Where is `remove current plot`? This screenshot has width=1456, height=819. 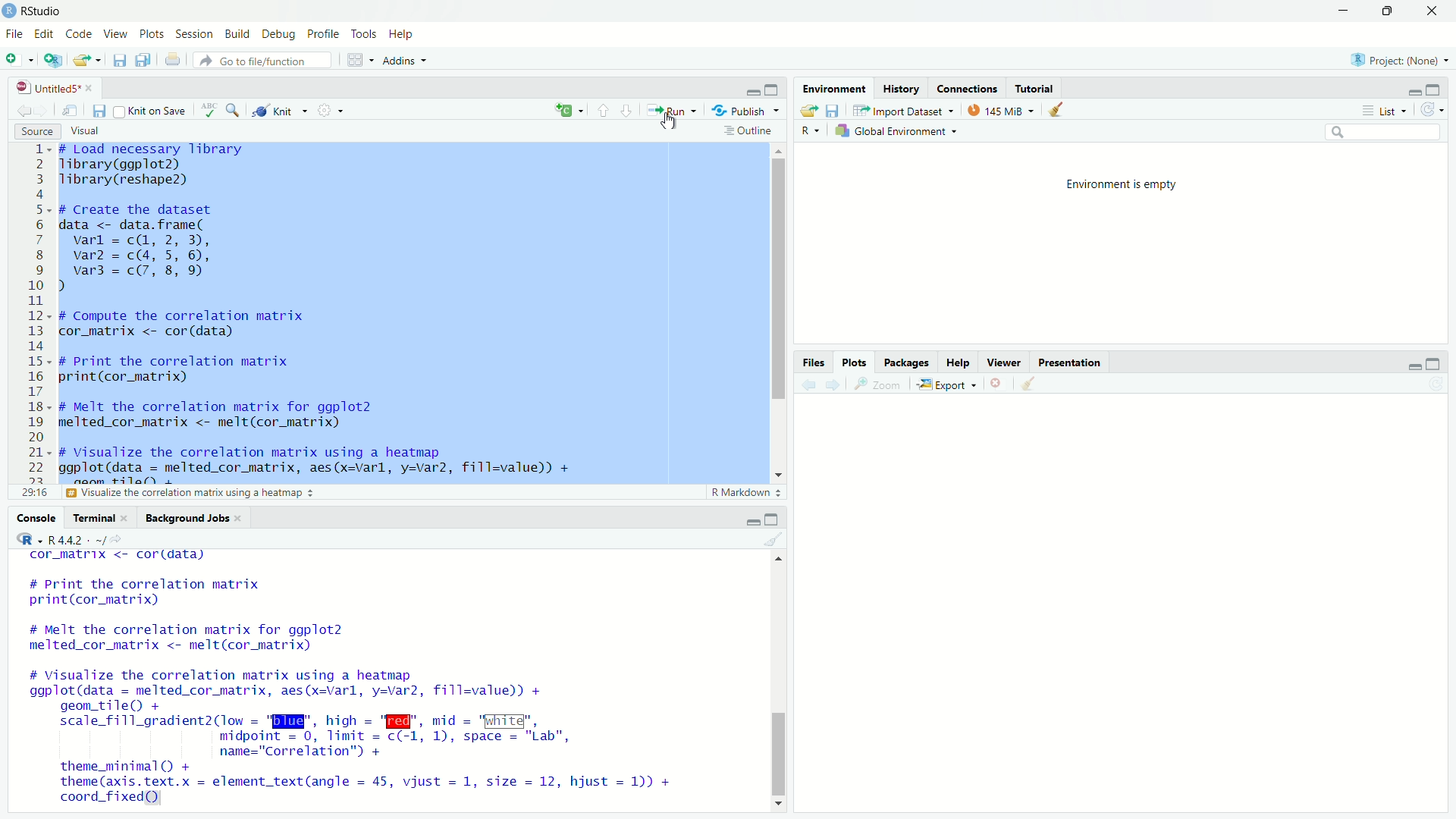
remove current plot is located at coordinates (998, 383).